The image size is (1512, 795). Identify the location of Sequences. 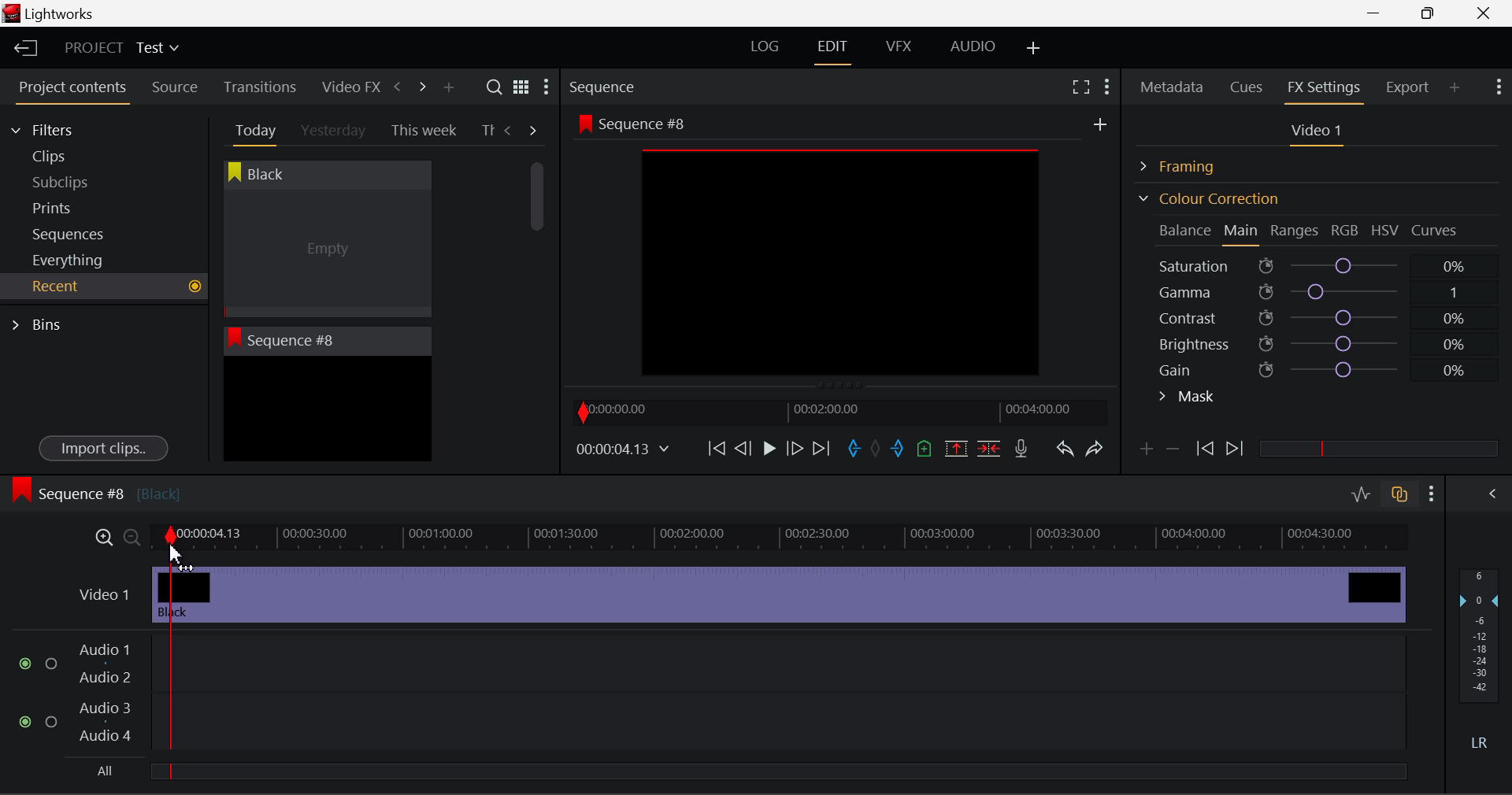
(72, 232).